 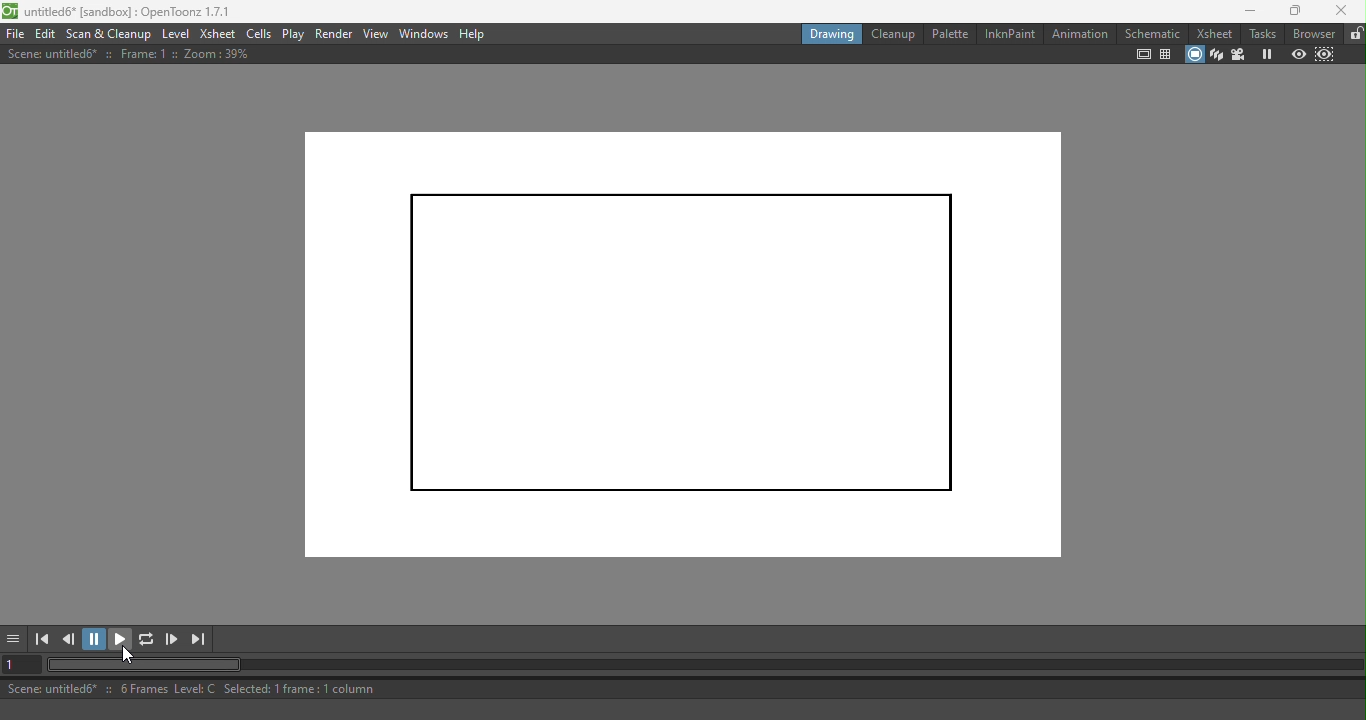 What do you see at coordinates (258, 34) in the screenshot?
I see `Cells` at bounding box center [258, 34].